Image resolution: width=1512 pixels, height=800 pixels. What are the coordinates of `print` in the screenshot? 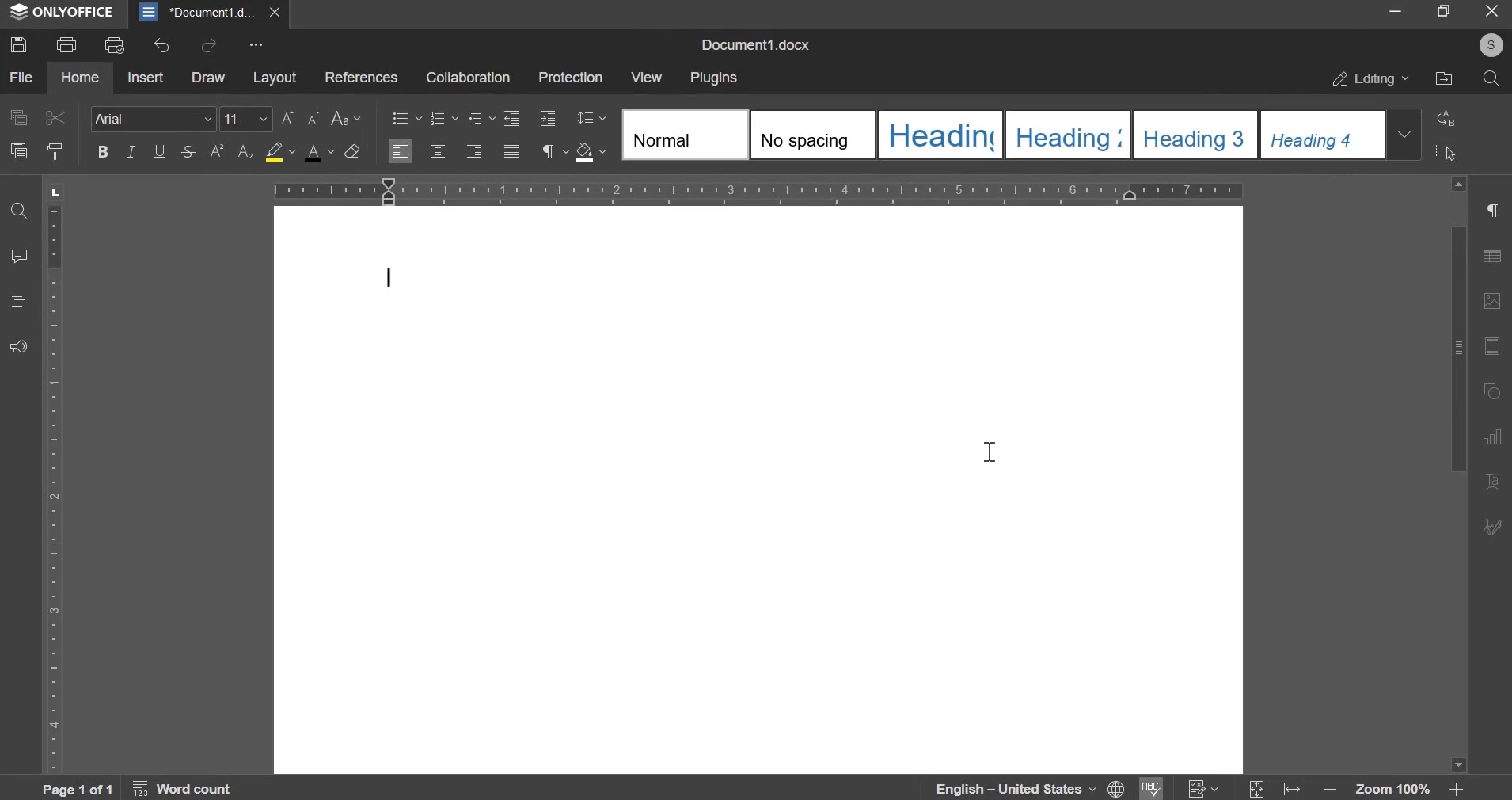 It's located at (66, 46).